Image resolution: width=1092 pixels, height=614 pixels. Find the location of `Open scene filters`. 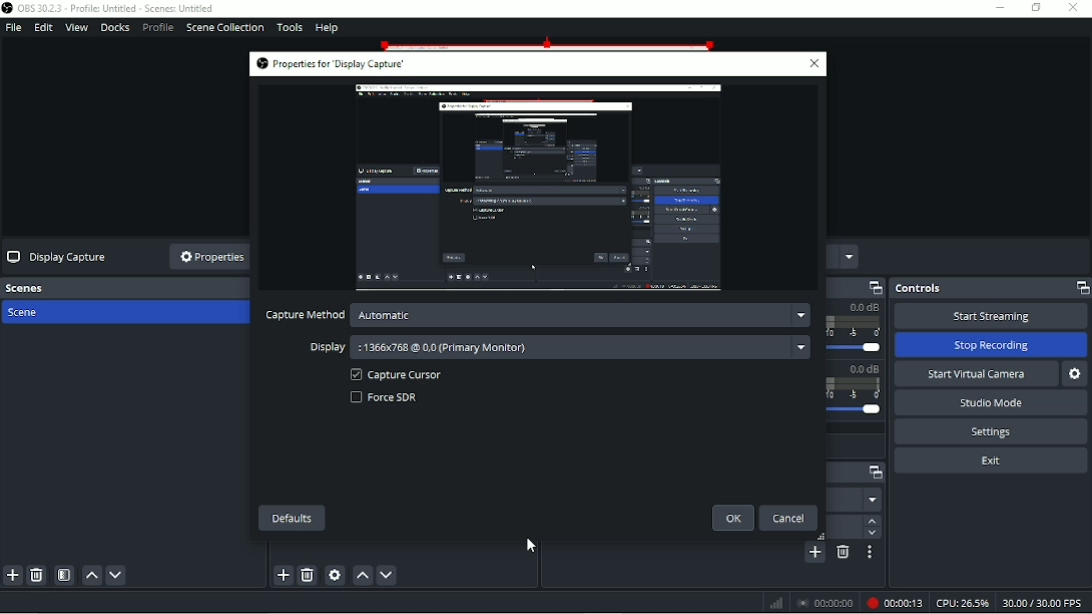

Open scene filters is located at coordinates (63, 576).